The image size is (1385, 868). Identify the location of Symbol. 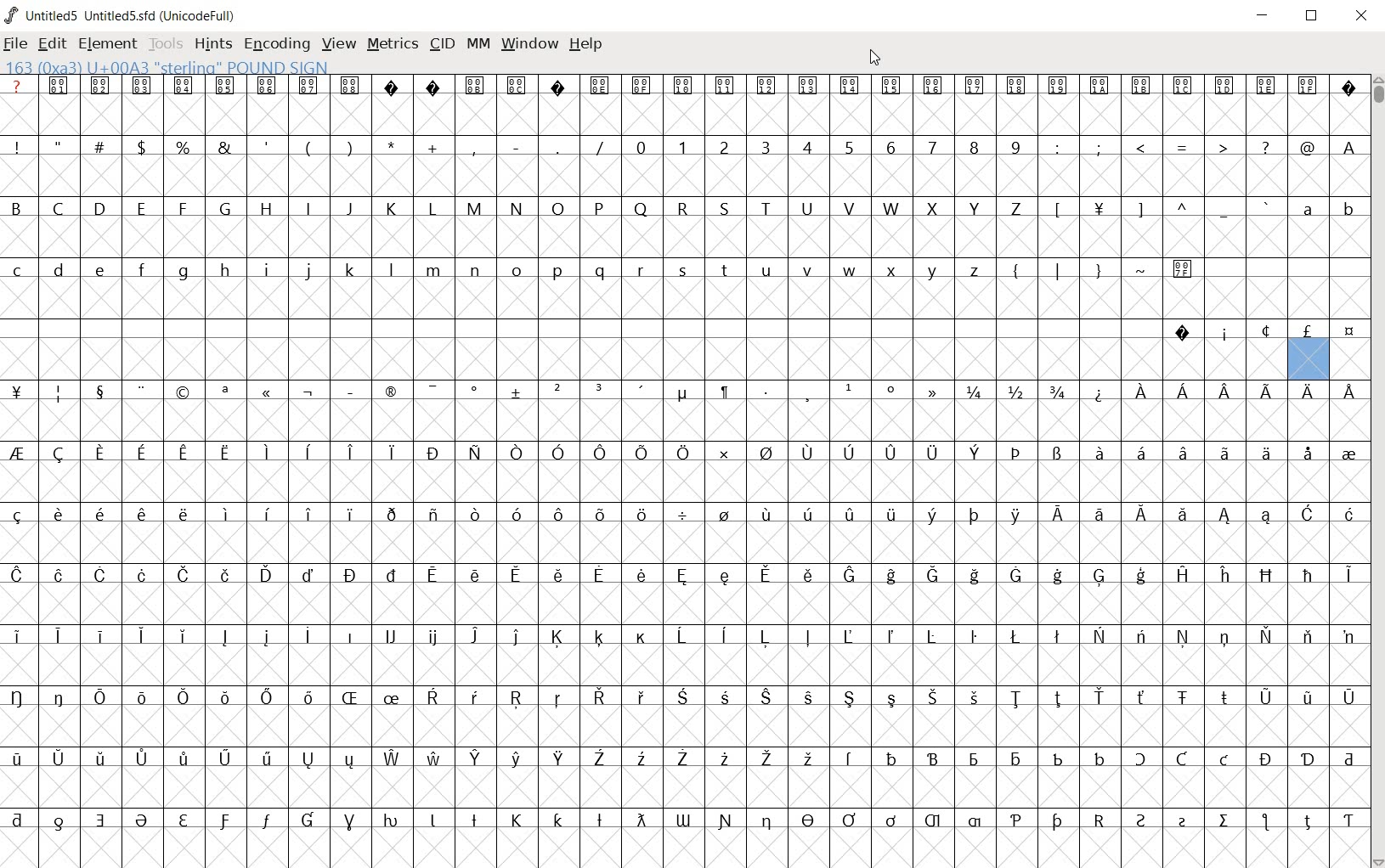
(20, 820).